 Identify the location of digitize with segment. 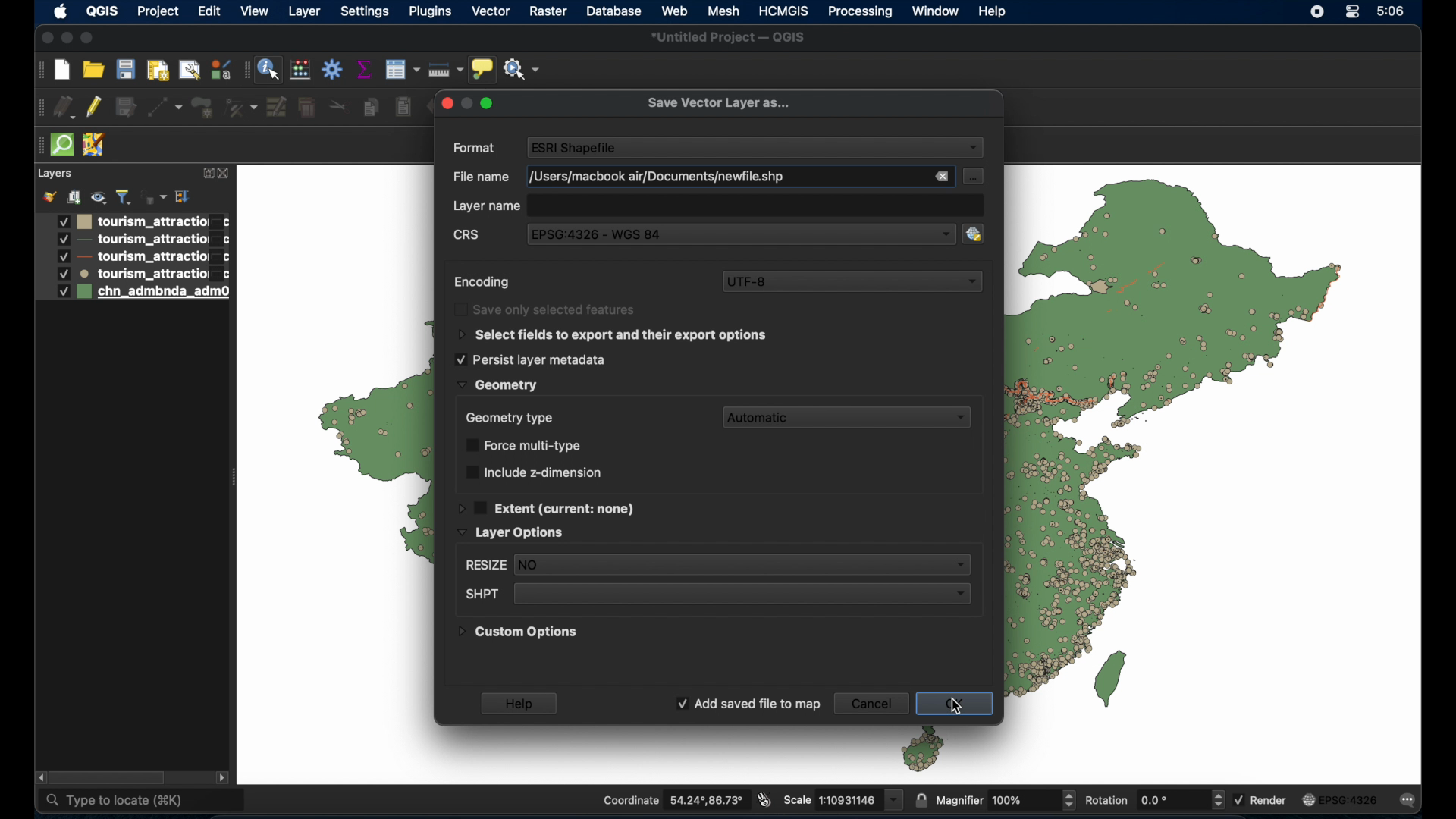
(165, 108).